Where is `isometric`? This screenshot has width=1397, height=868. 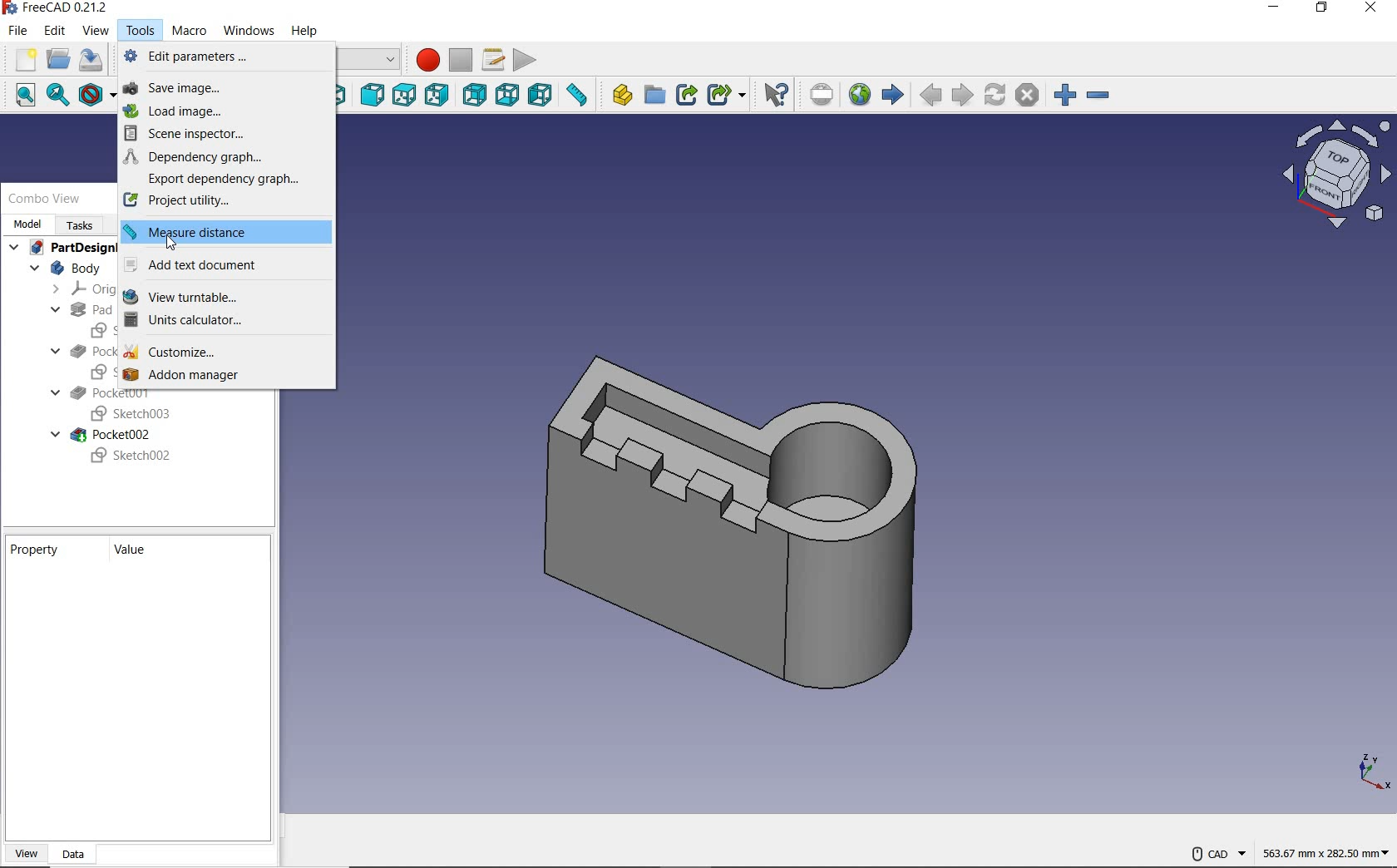 isometric is located at coordinates (344, 96).